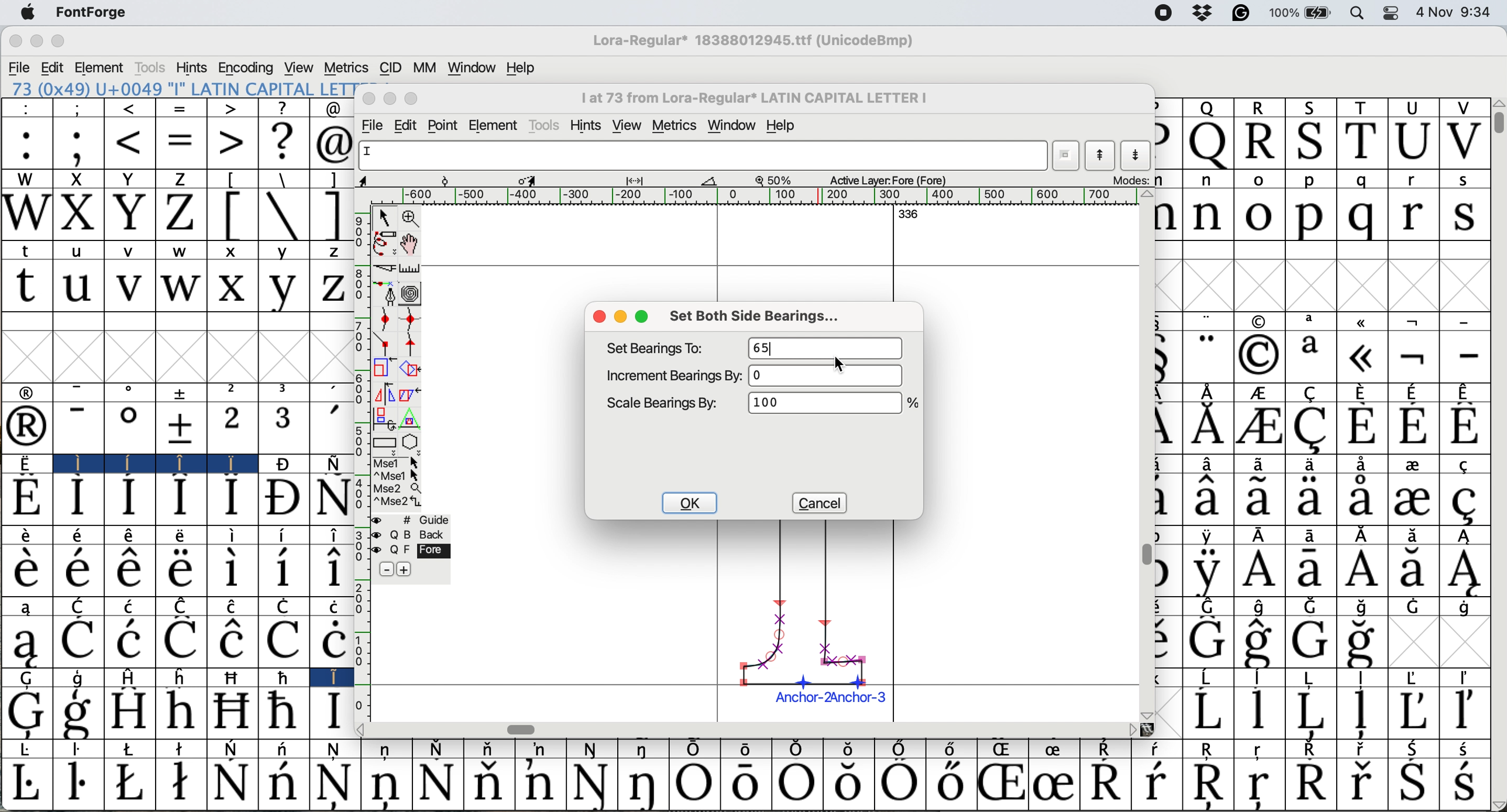 The image size is (1507, 812). What do you see at coordinates (1210, 216) in the screenshot?
I see `n` at bounding box center [1210, 216].